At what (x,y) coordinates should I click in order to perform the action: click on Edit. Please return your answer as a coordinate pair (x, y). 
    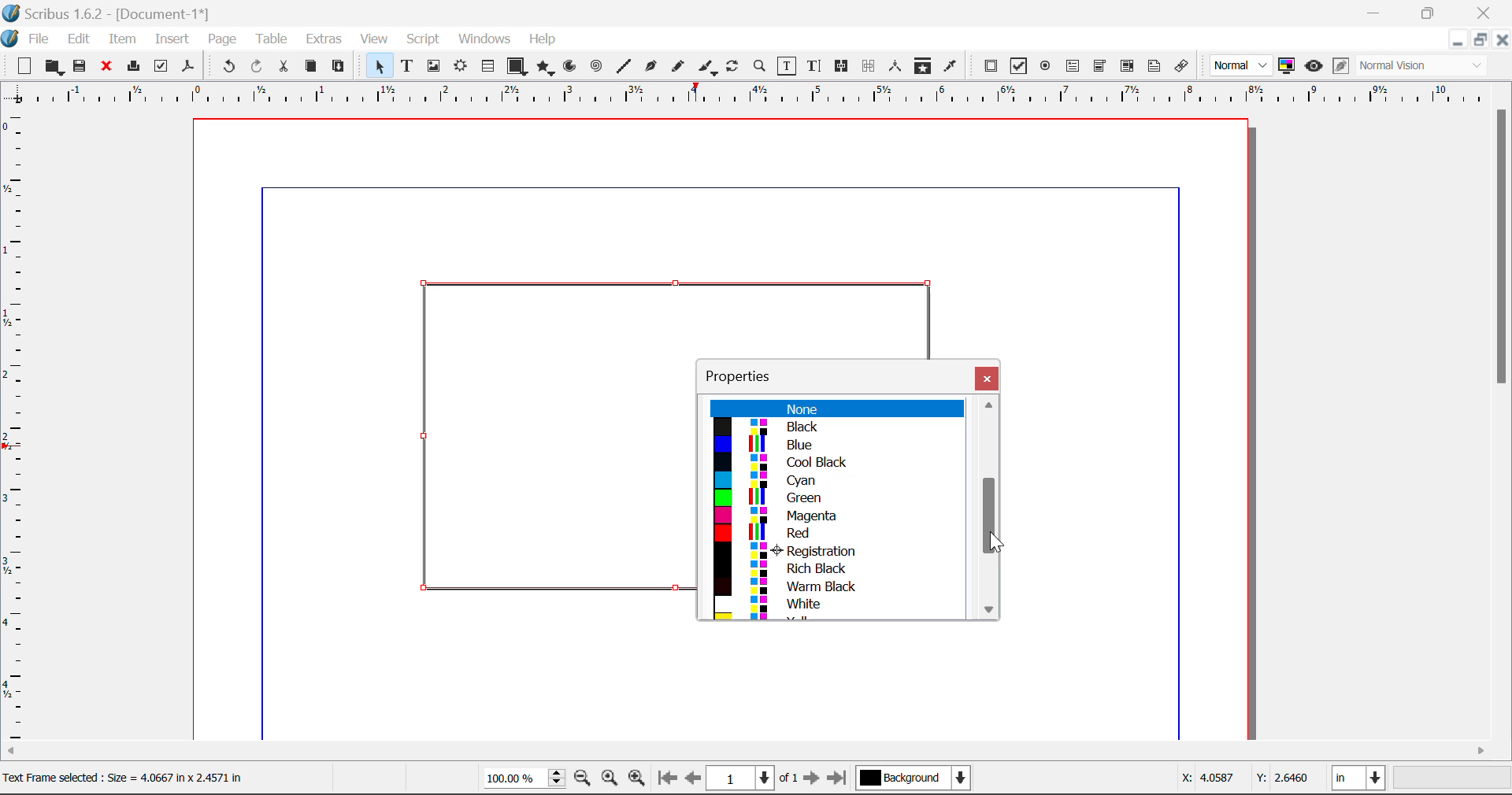
    Looking at the image, I should click on (79, 38).